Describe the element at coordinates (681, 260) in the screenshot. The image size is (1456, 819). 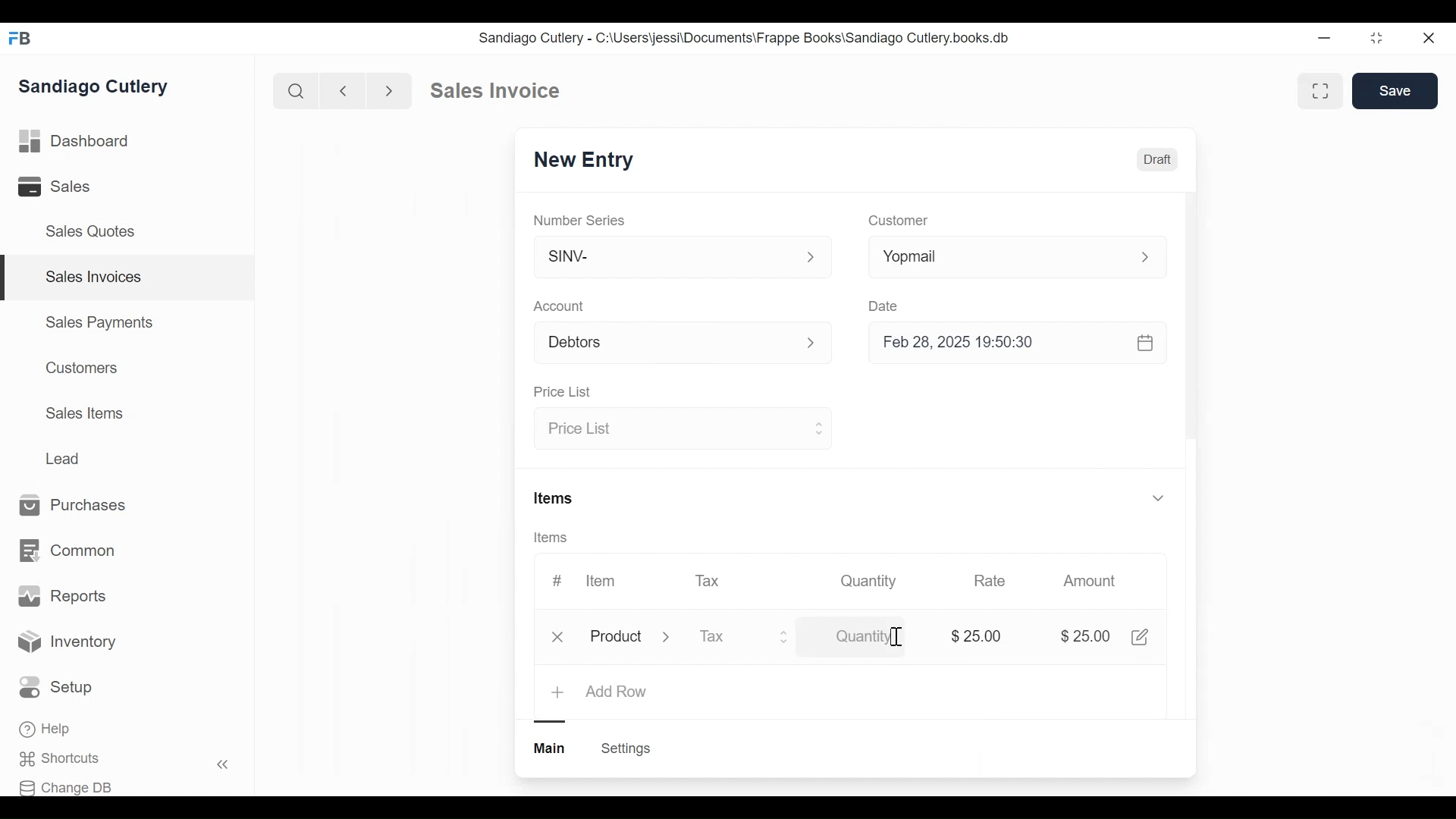
I see `SINV-` at that location.